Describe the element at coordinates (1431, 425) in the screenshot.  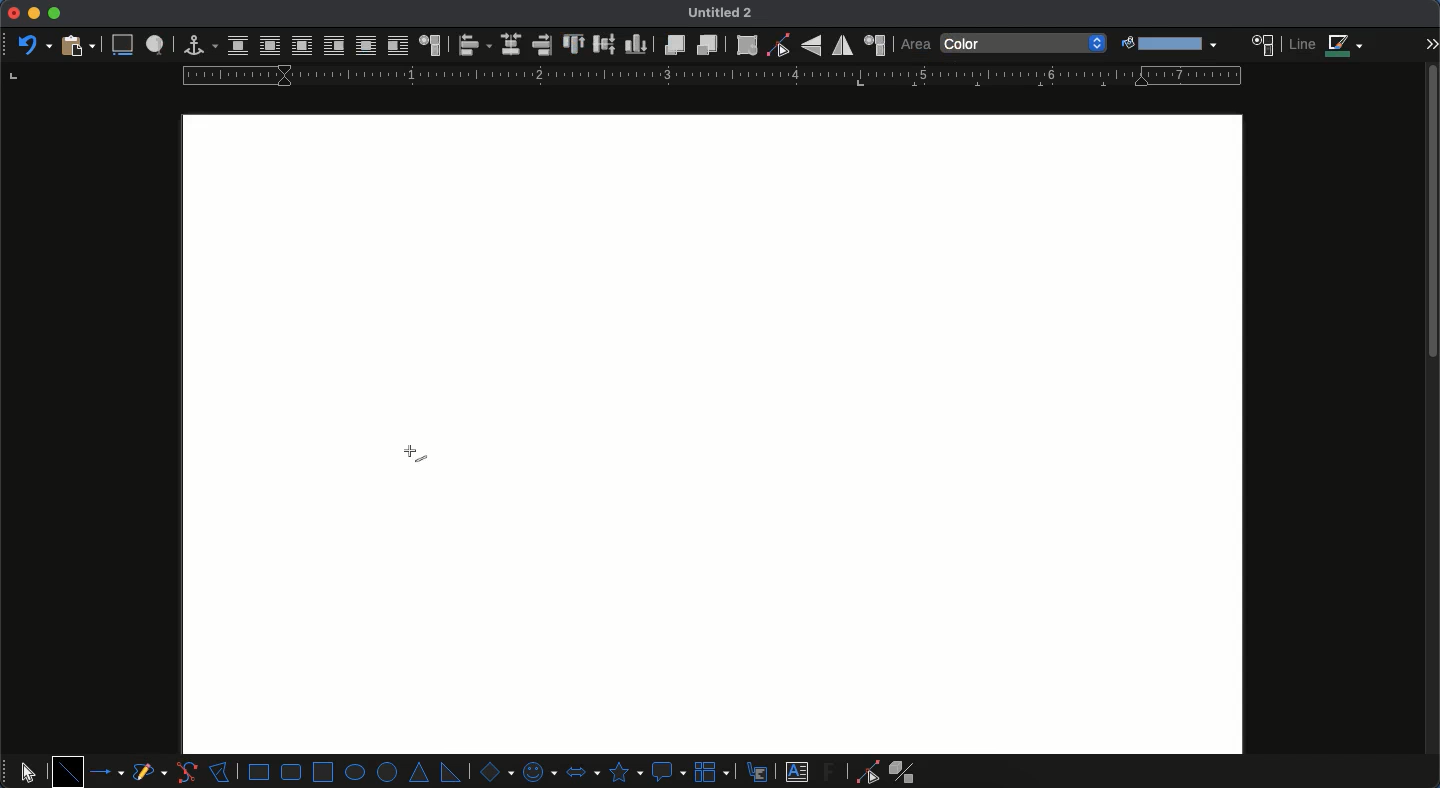
I see `scroll` at that location.